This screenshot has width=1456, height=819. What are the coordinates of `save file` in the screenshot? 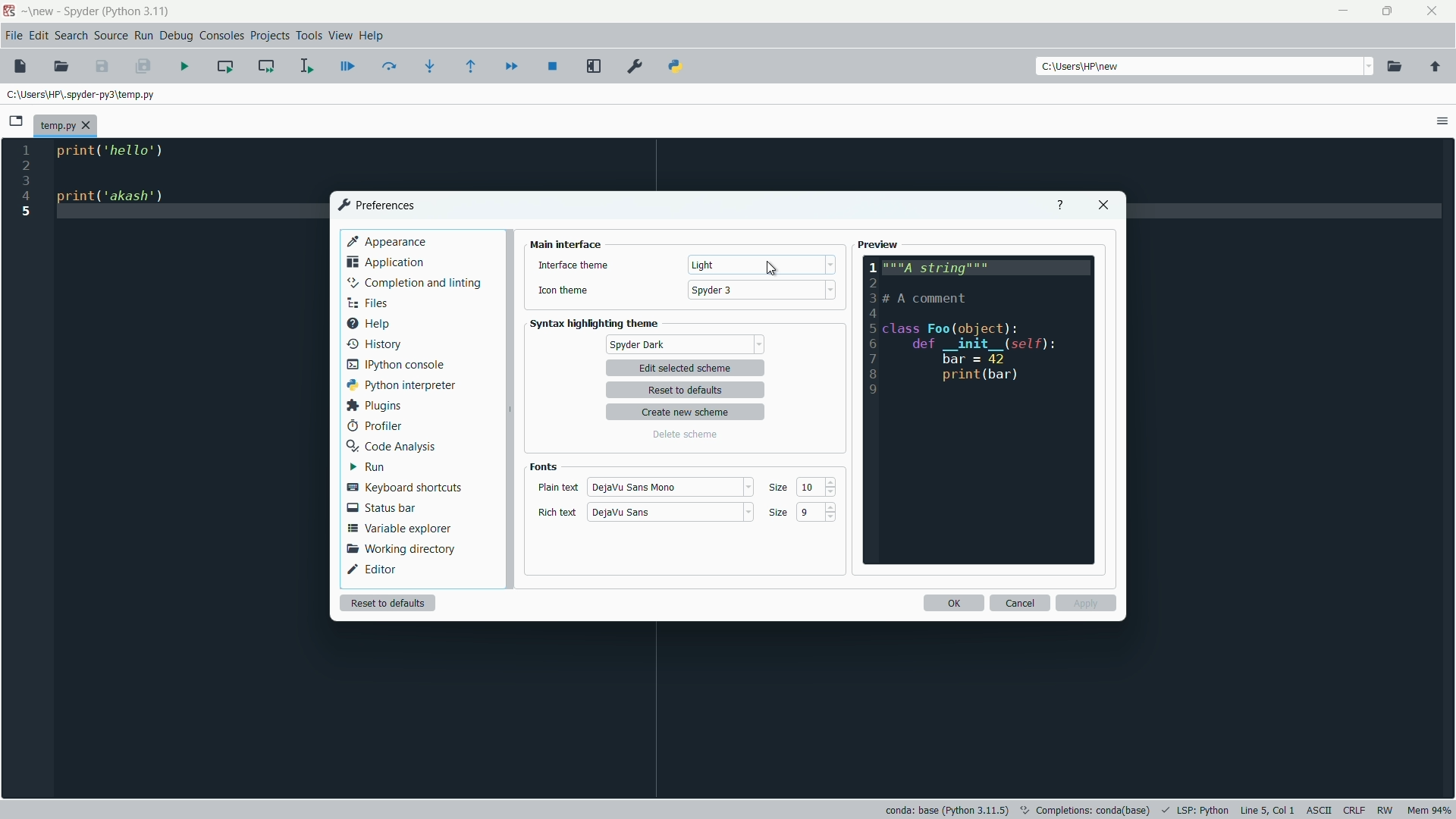 It's located at (103, 67).